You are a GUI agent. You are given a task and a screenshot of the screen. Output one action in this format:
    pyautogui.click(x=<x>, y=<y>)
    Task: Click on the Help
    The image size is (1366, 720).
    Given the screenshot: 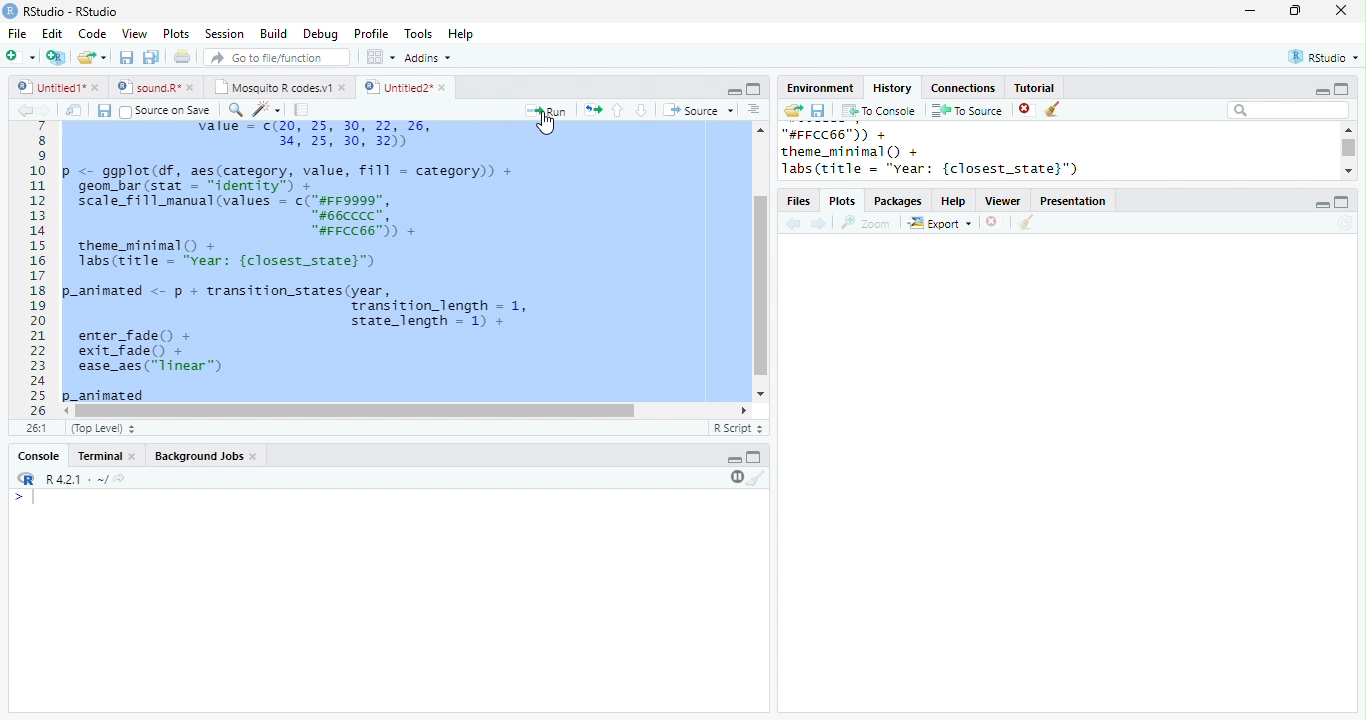 What is the action you would take?
    pyautogui.click(x=953, y=201)
    